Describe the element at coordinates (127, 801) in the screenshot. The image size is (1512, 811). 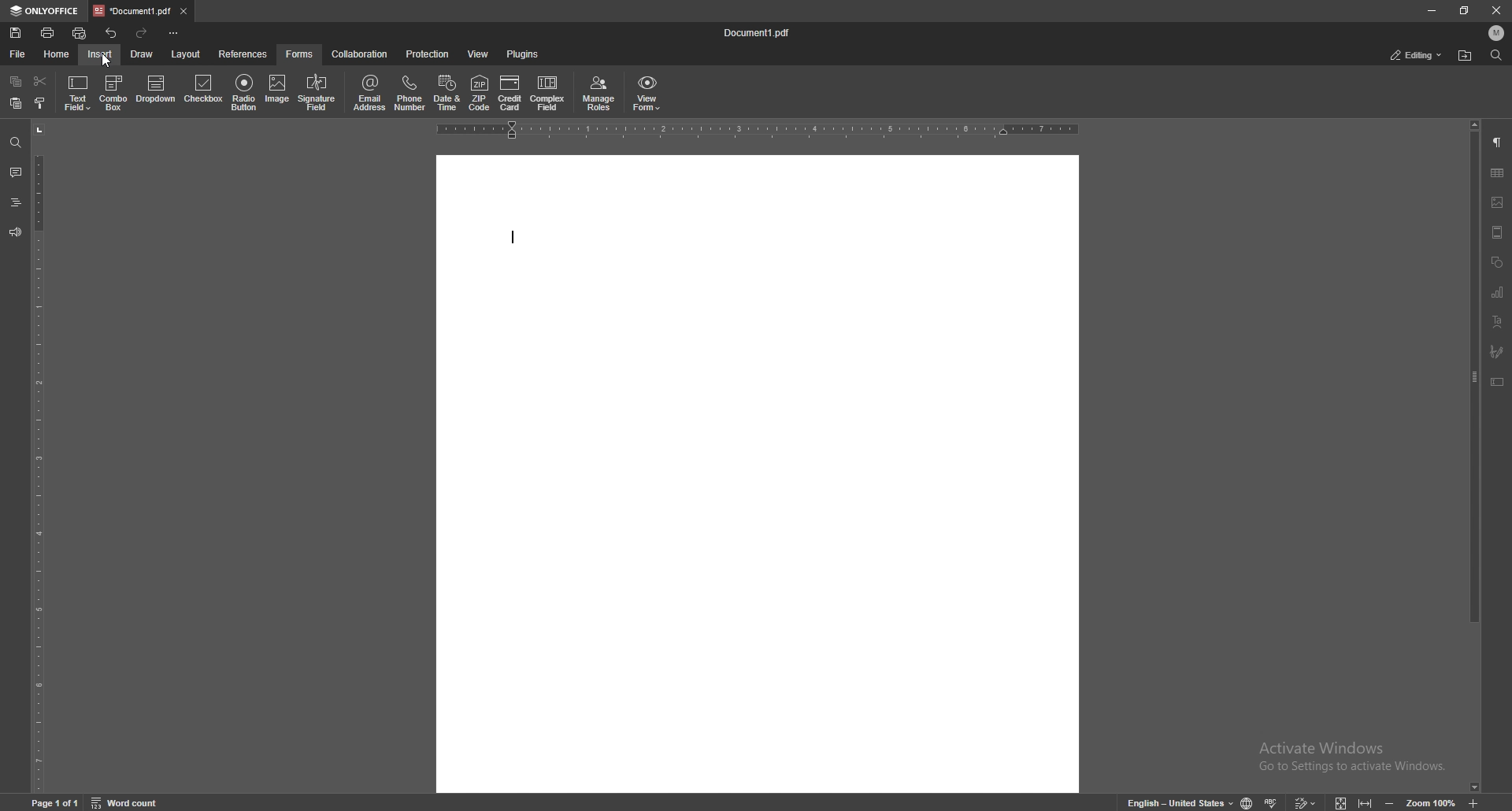
I see `word count` at that location.